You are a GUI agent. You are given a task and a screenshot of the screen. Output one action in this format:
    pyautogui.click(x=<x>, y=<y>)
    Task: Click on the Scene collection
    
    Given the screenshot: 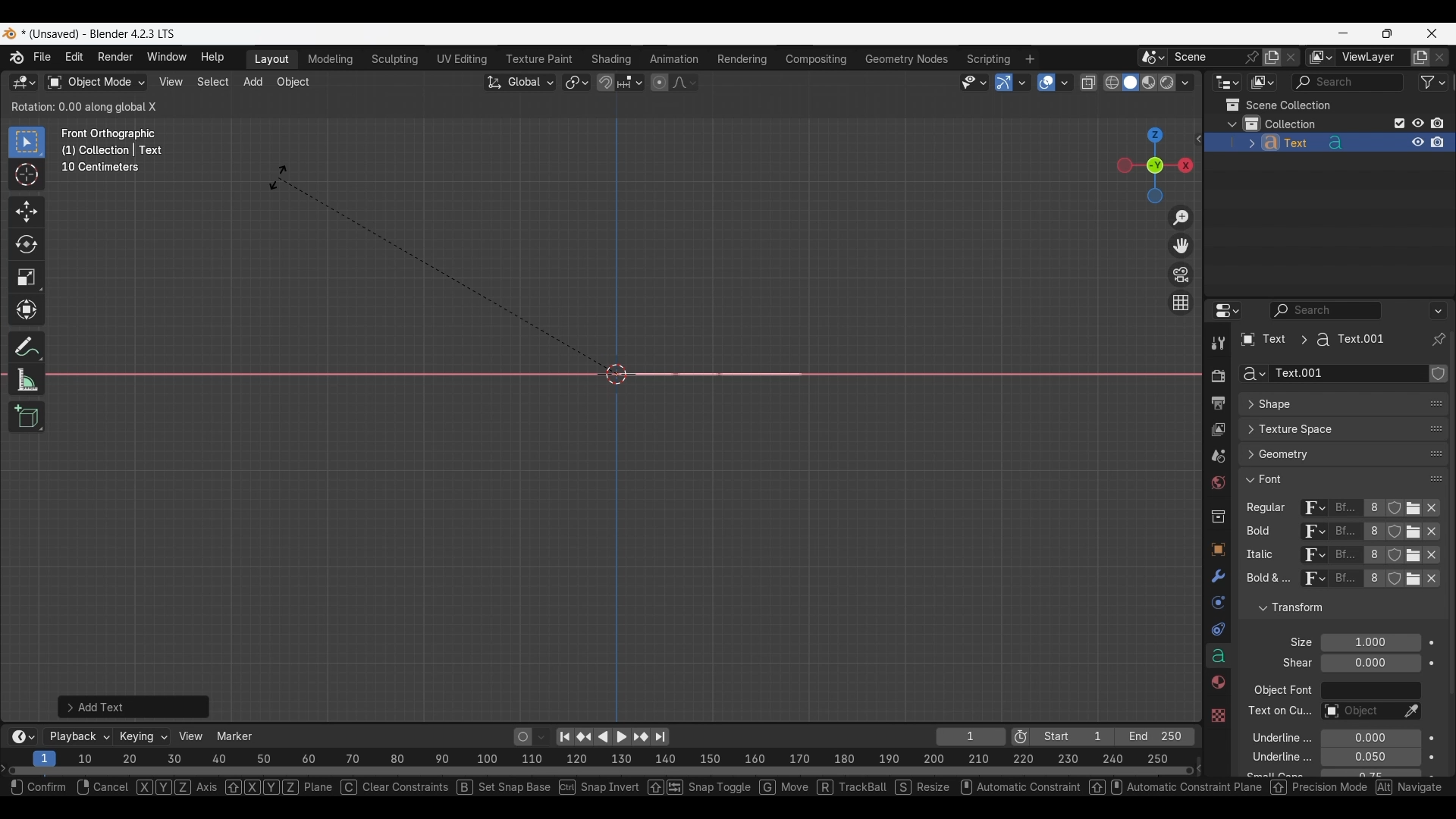 What is the action you would take?
    pyautogui.click(x=1278, y=105)
    